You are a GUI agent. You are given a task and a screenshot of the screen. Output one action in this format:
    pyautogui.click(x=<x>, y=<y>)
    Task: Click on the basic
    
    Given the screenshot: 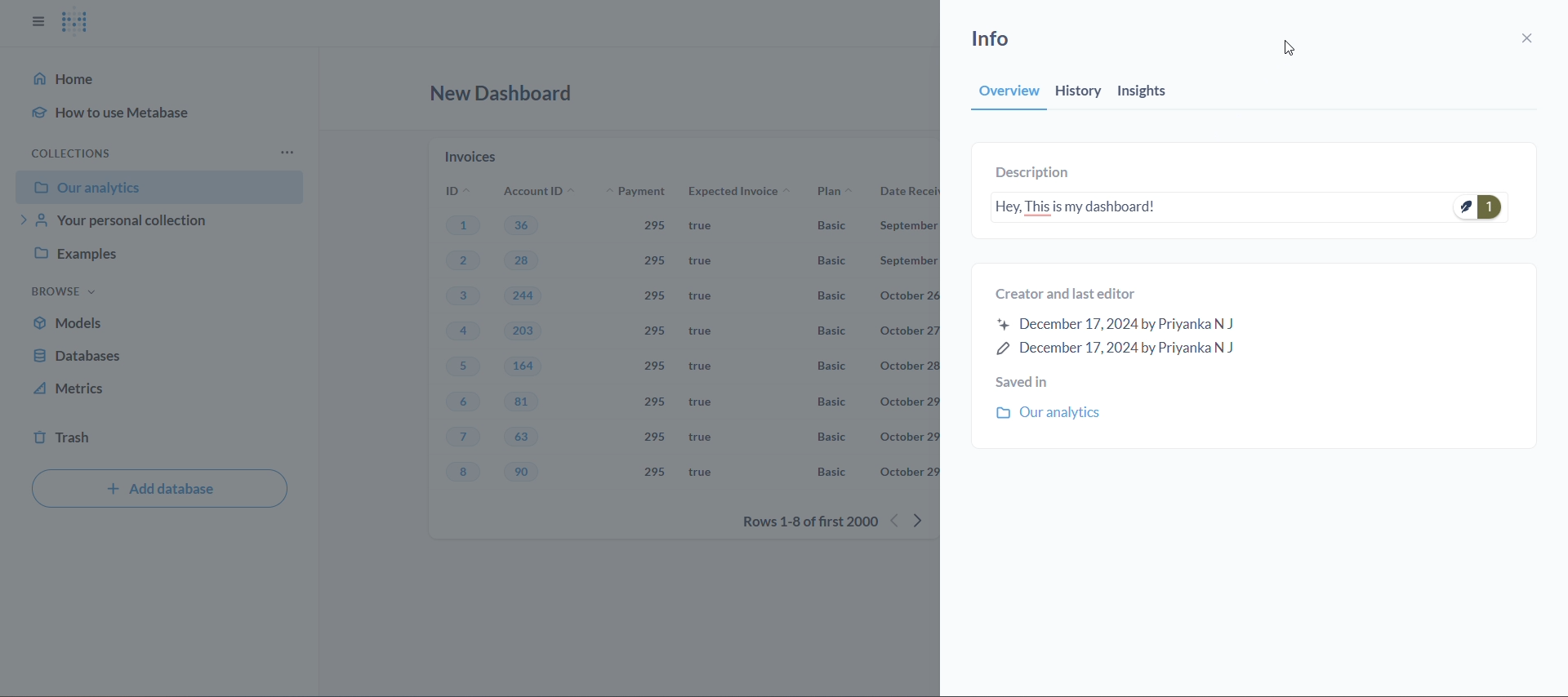 What is the action you would take?
    pyautogui.click(x=831, y=263)
    